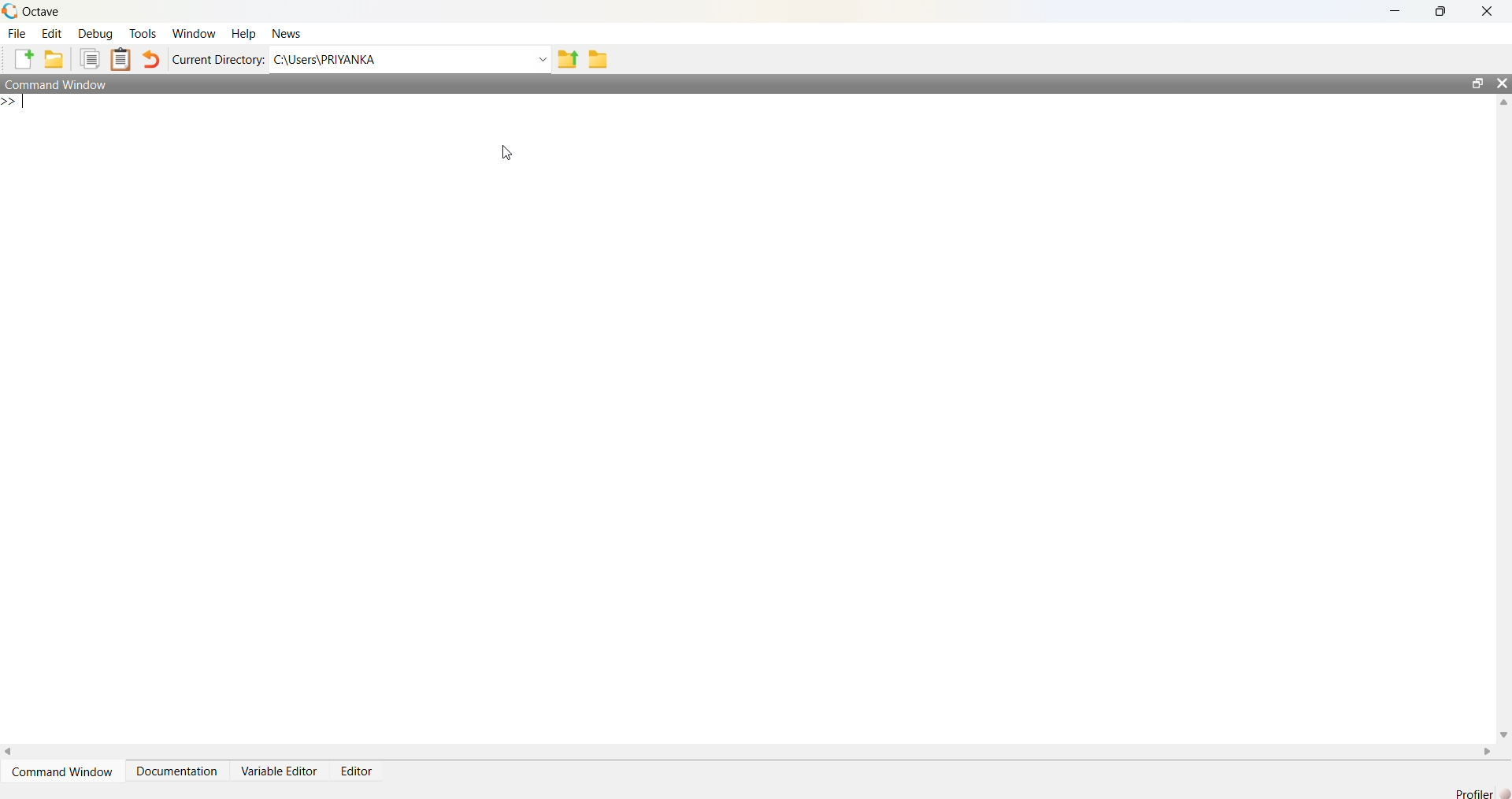 This screenshot has height=799, width=1512. What do you see at coordinates (291, 32) in the screenshot?
I see `News` at bounding box center [291, 32].